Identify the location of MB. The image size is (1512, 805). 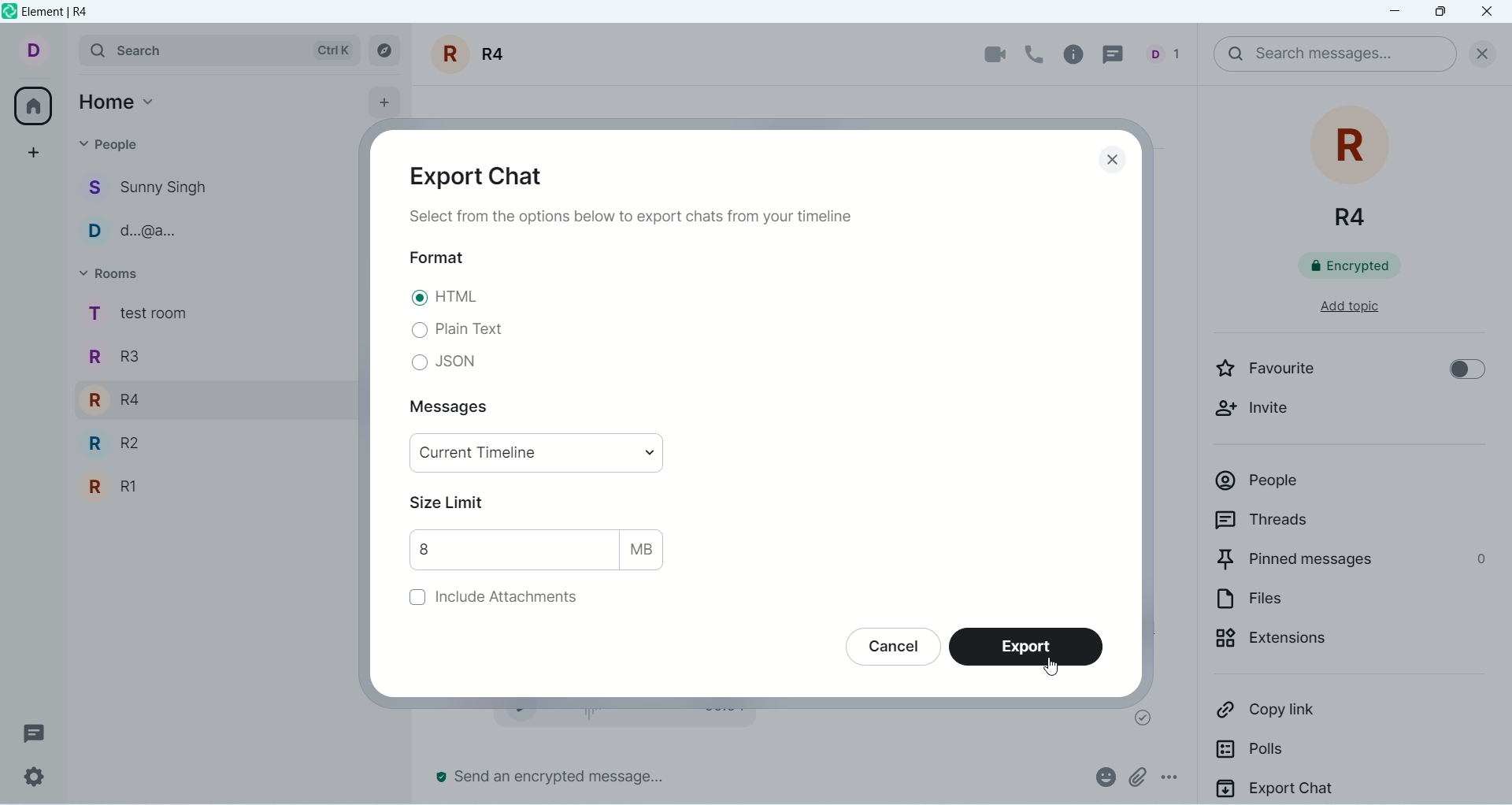
(645, 549).